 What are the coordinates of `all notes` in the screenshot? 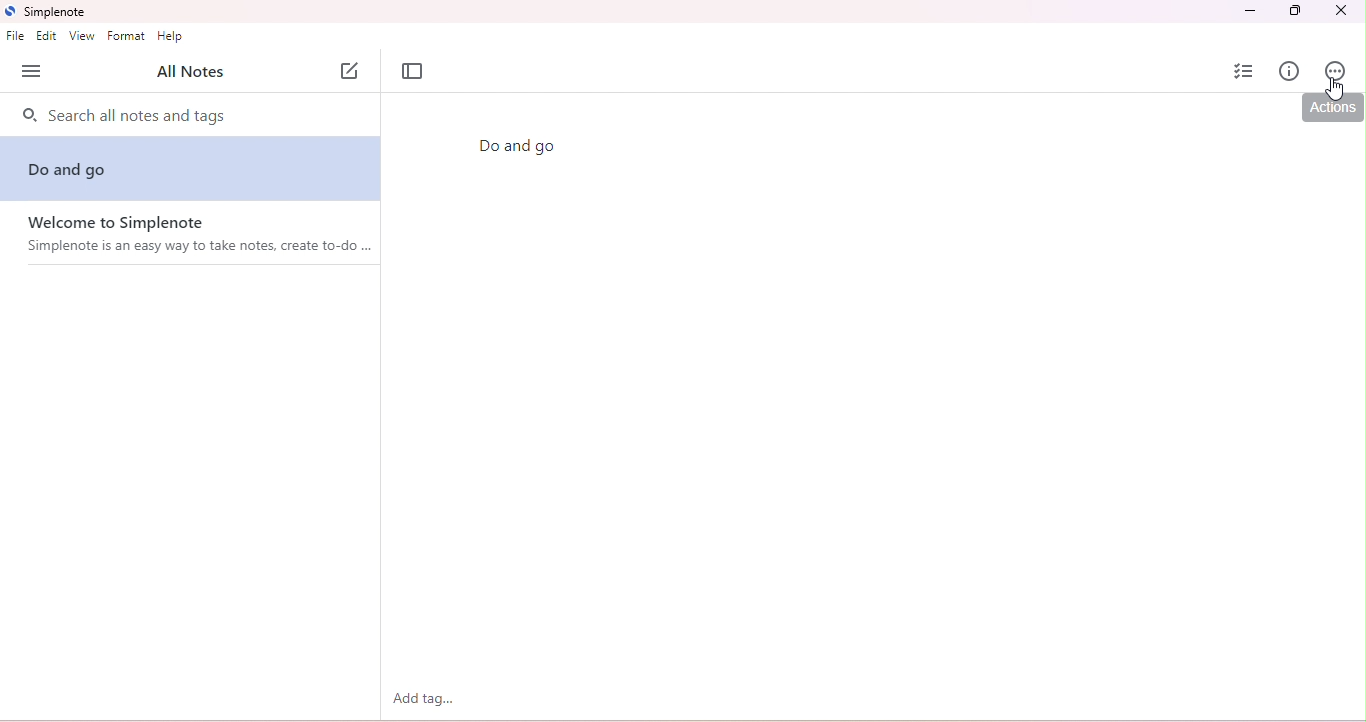 It's located at (190, 73).